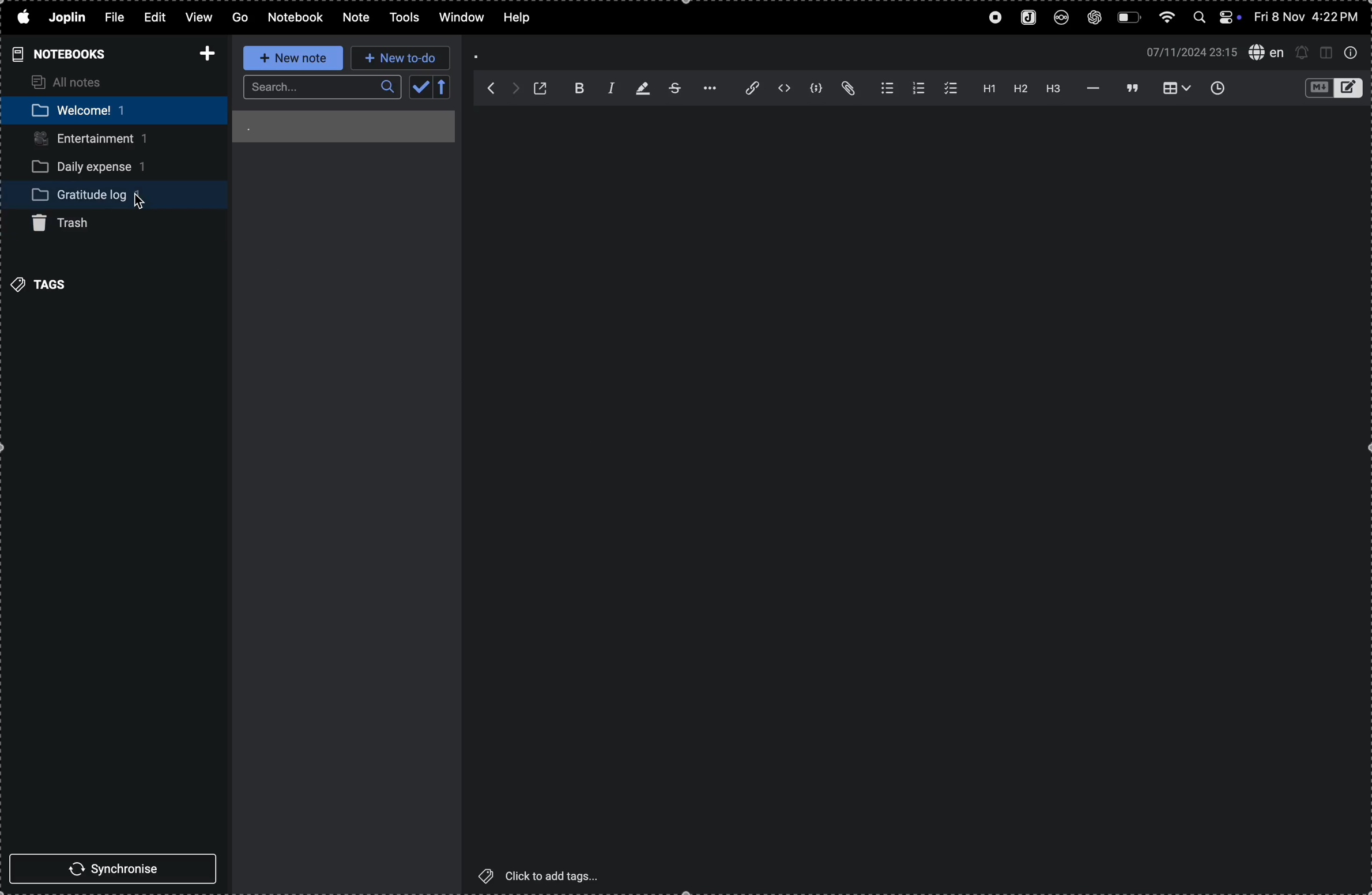 This screenshot has height=895, width=1372. I want to click on synchronise, so click(116, 869).